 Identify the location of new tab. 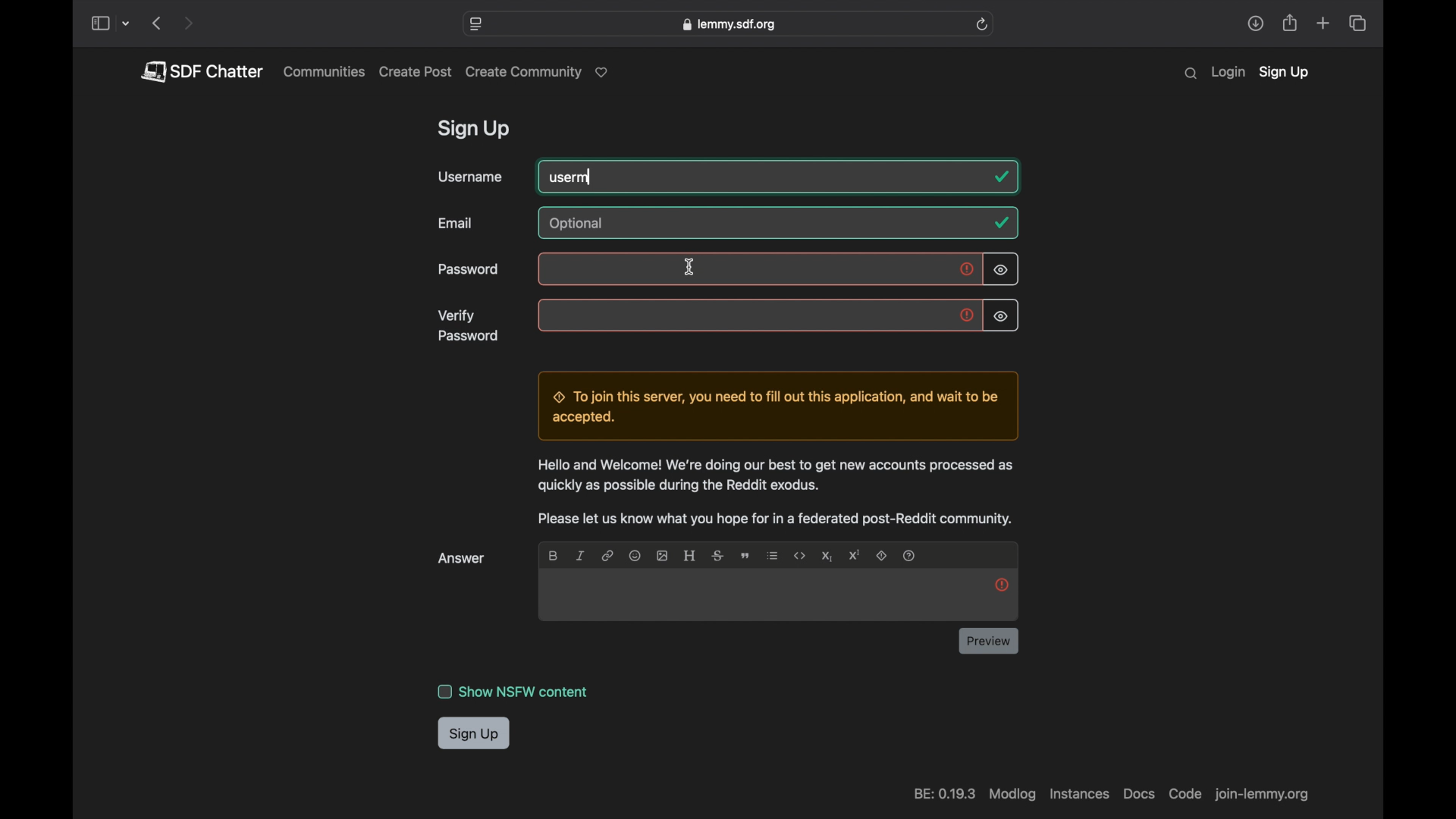
(1324, 23).